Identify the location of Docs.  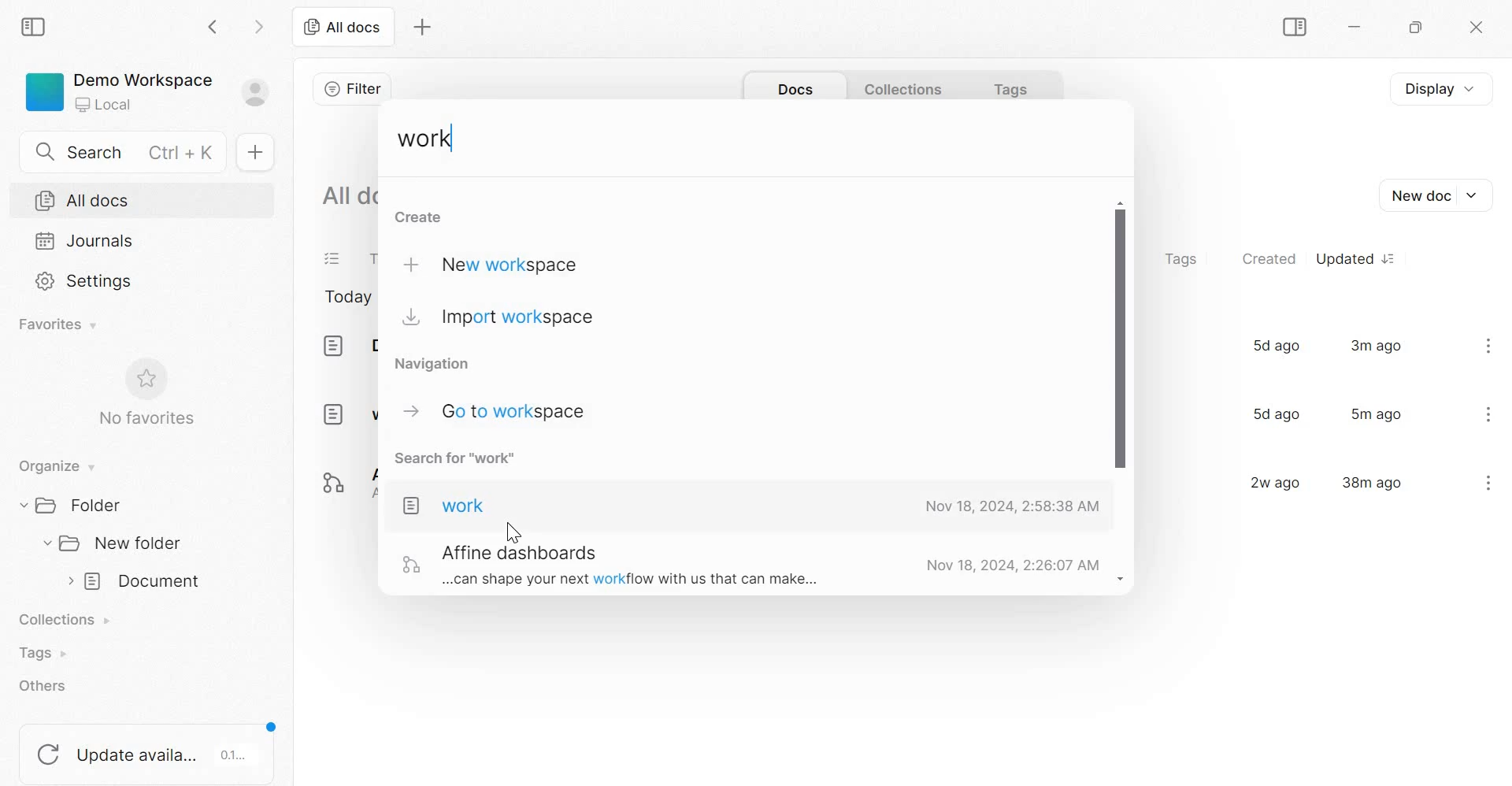
(791, 85).